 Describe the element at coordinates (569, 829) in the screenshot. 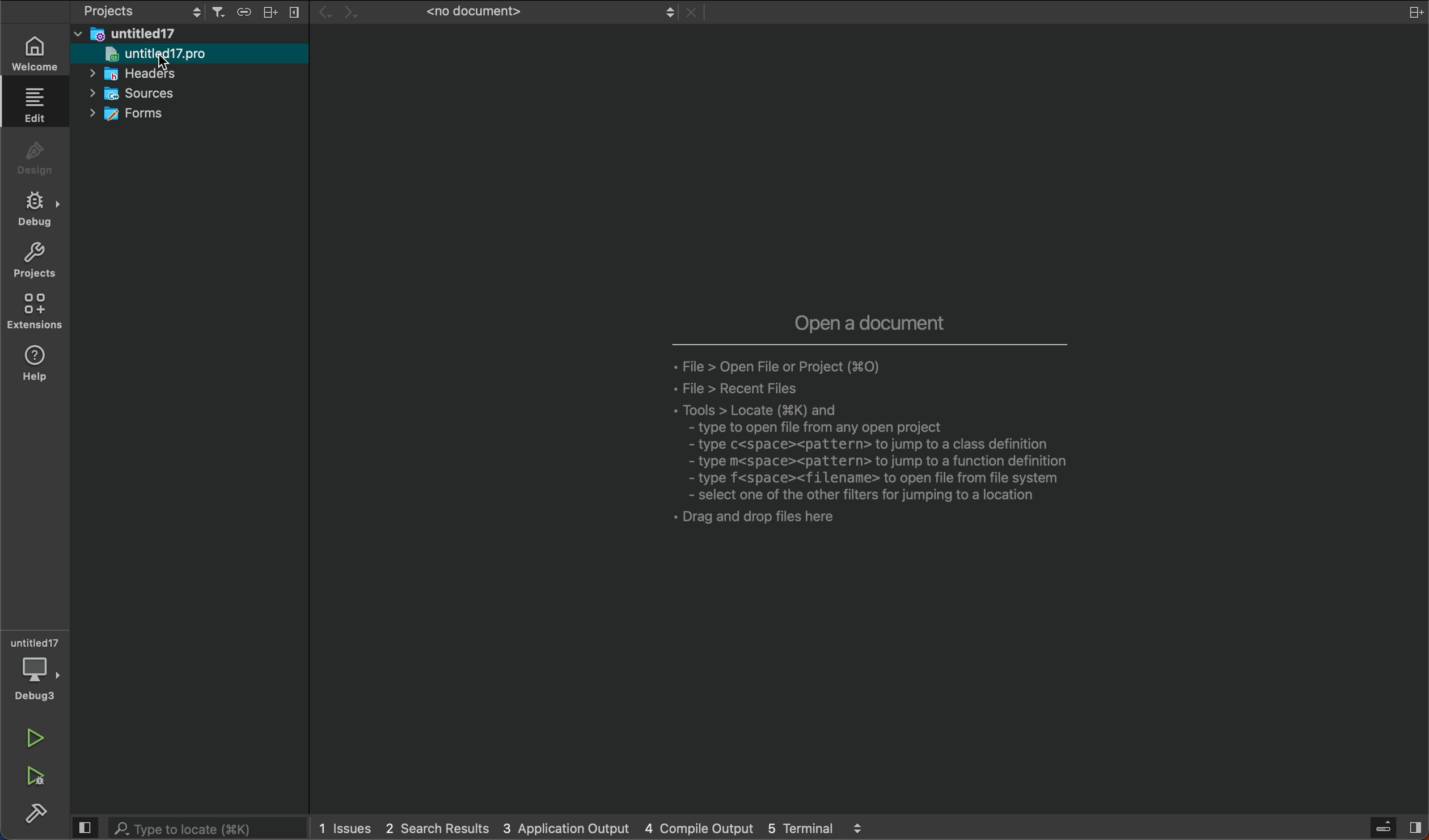

I see `3 application output` at that location.